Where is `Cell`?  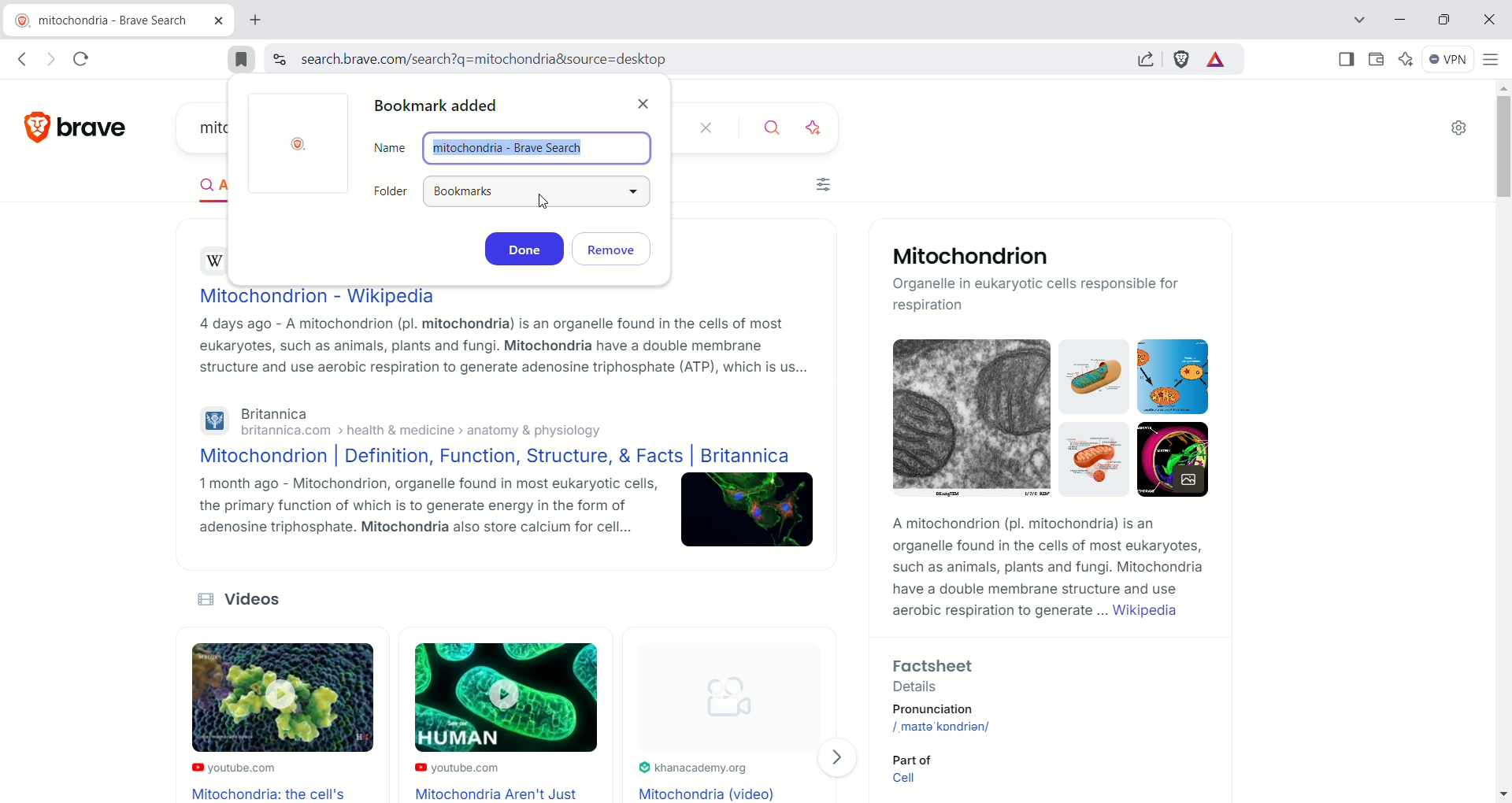 Cell is located at coordinates (909, 781).